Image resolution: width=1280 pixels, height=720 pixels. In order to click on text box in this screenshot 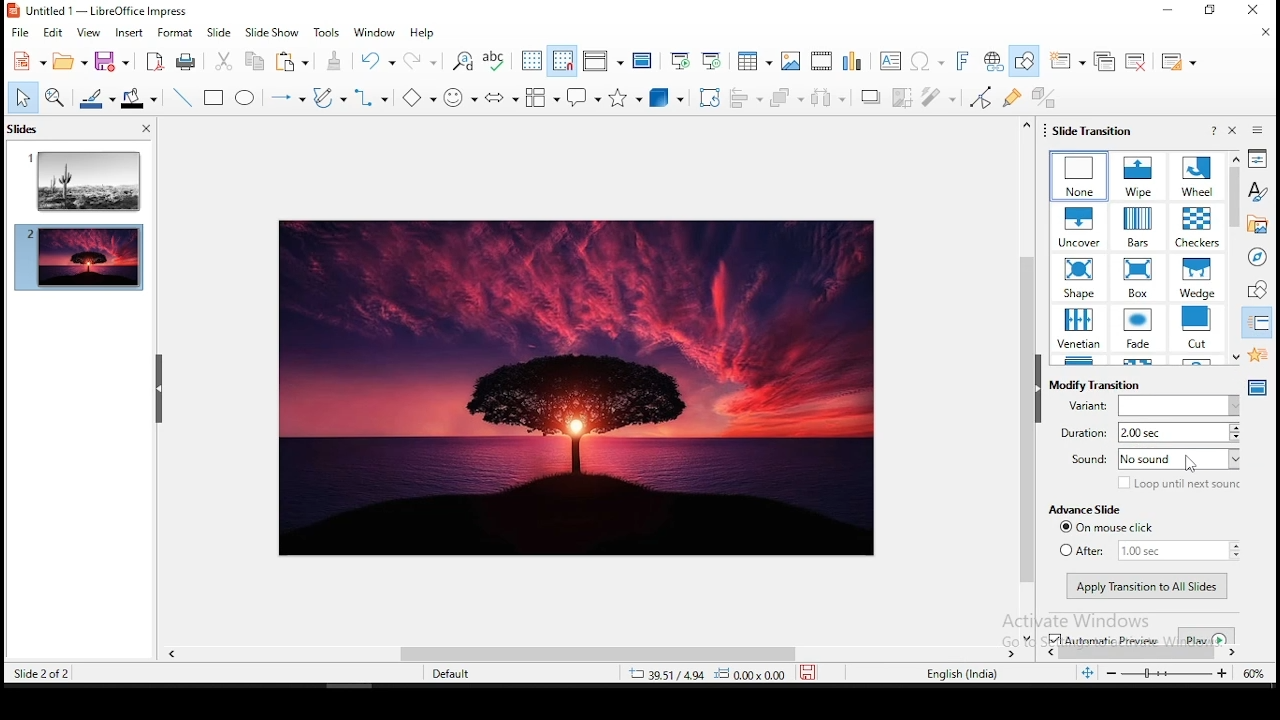, I will do `click(890, 61)`.